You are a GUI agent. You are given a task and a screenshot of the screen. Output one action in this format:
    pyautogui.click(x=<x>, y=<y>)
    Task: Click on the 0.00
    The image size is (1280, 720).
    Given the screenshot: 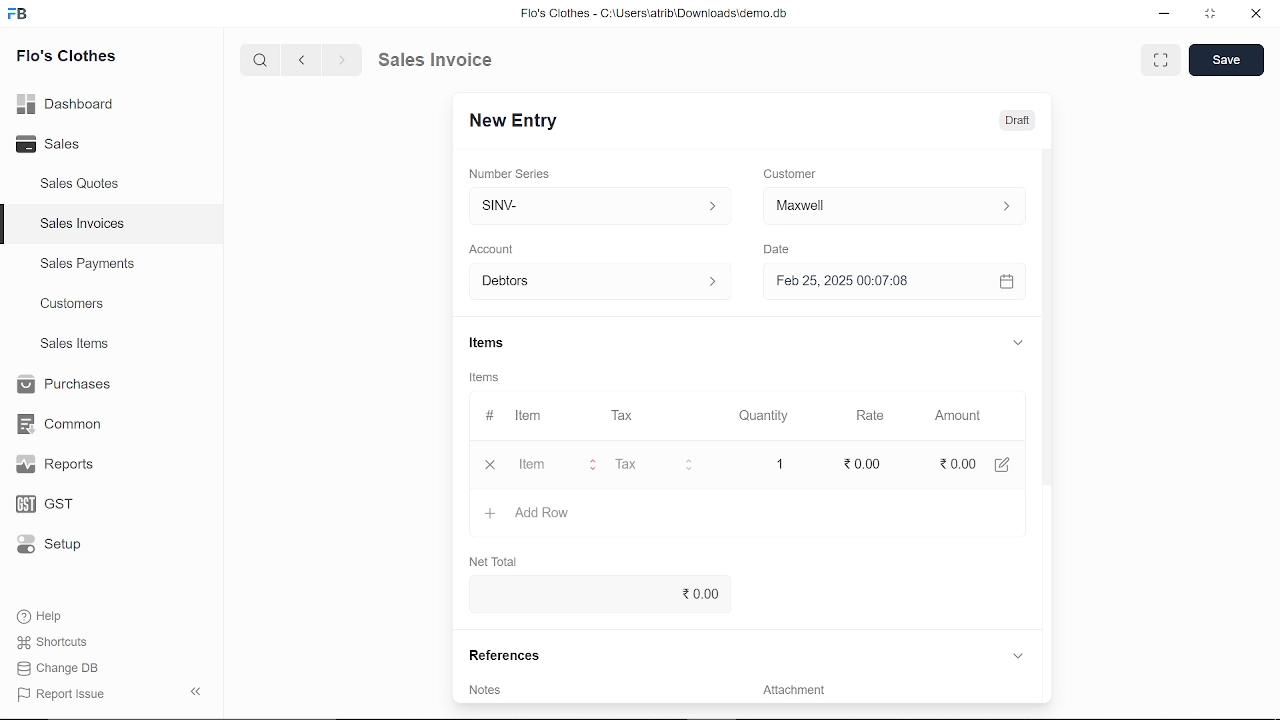 What is the action you would take?
    pyautogui.click(x=599, y=592)
    